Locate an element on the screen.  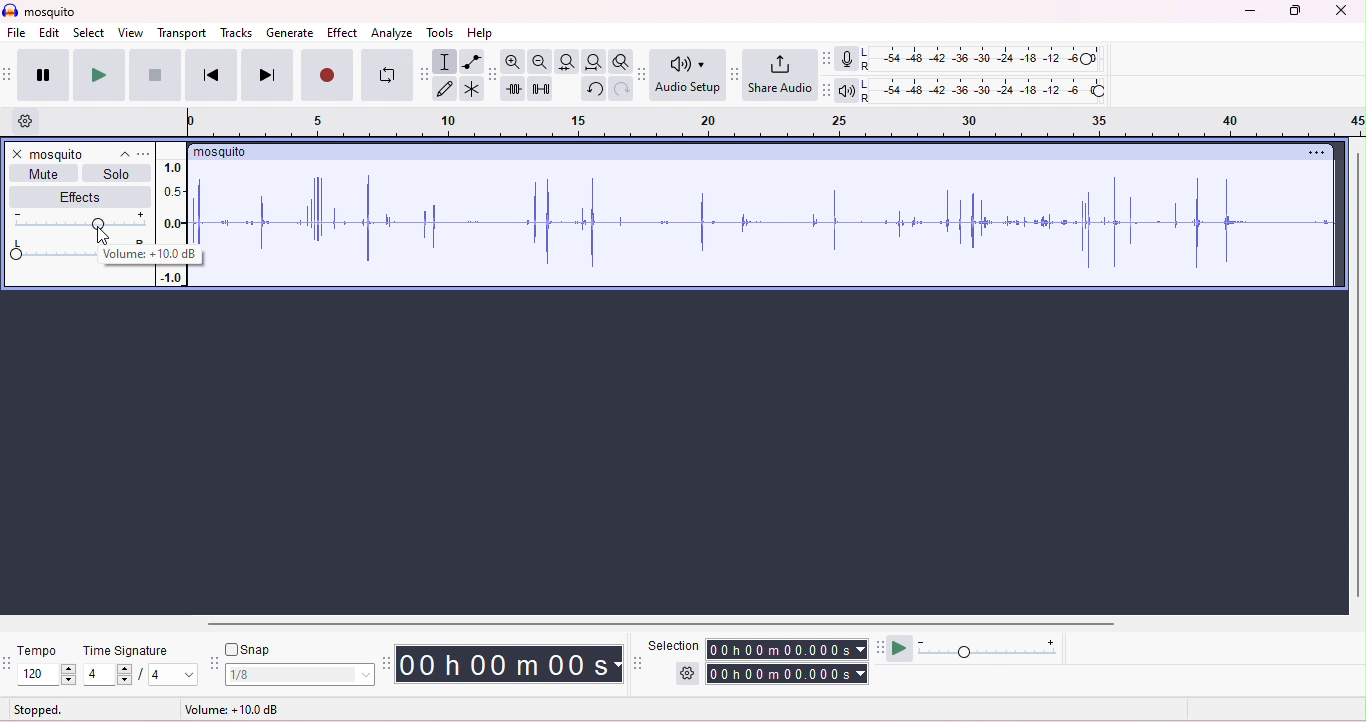
pause is located at coordinates (39, 75).